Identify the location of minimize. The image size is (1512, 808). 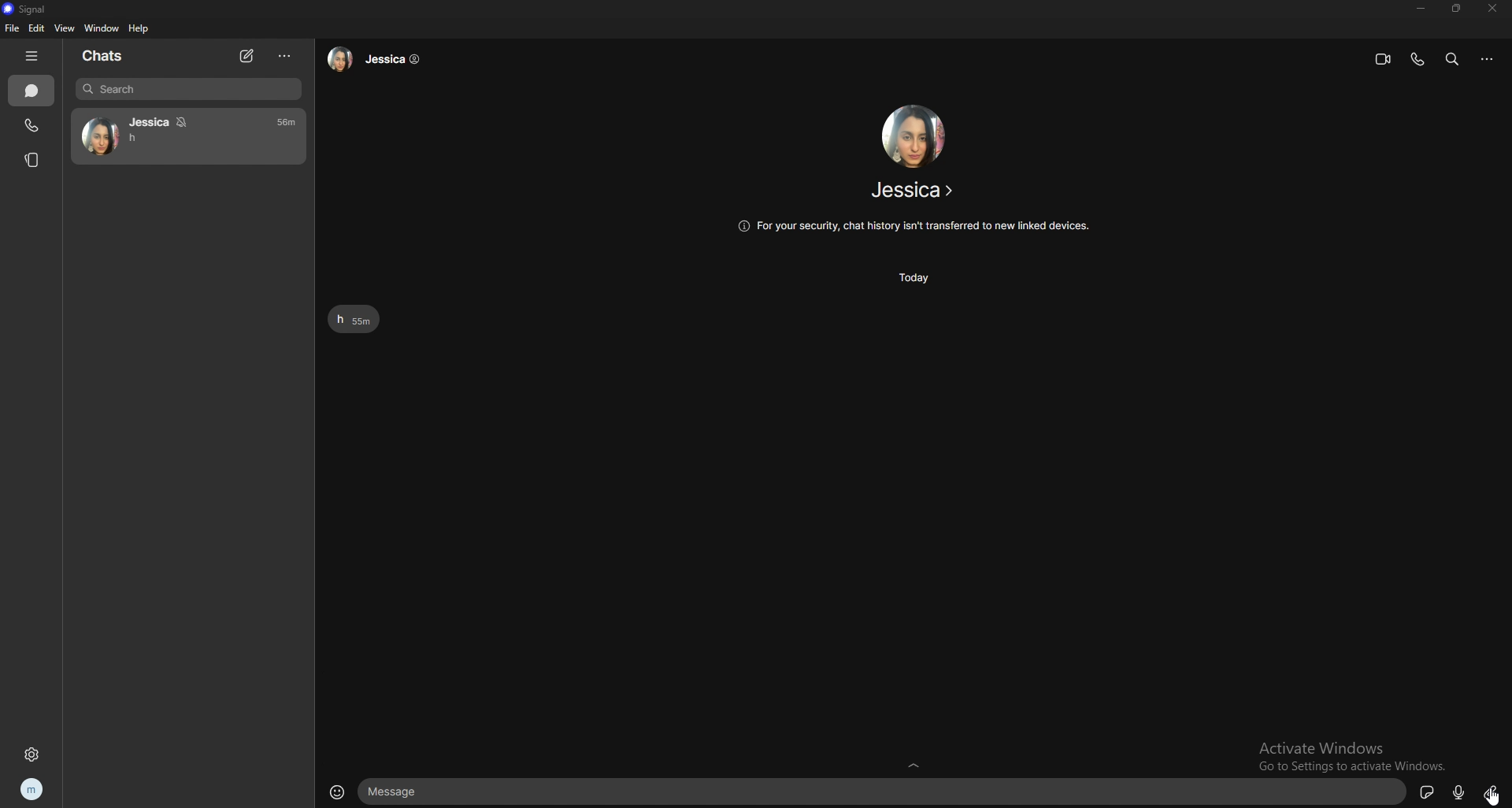
(1421, 9).